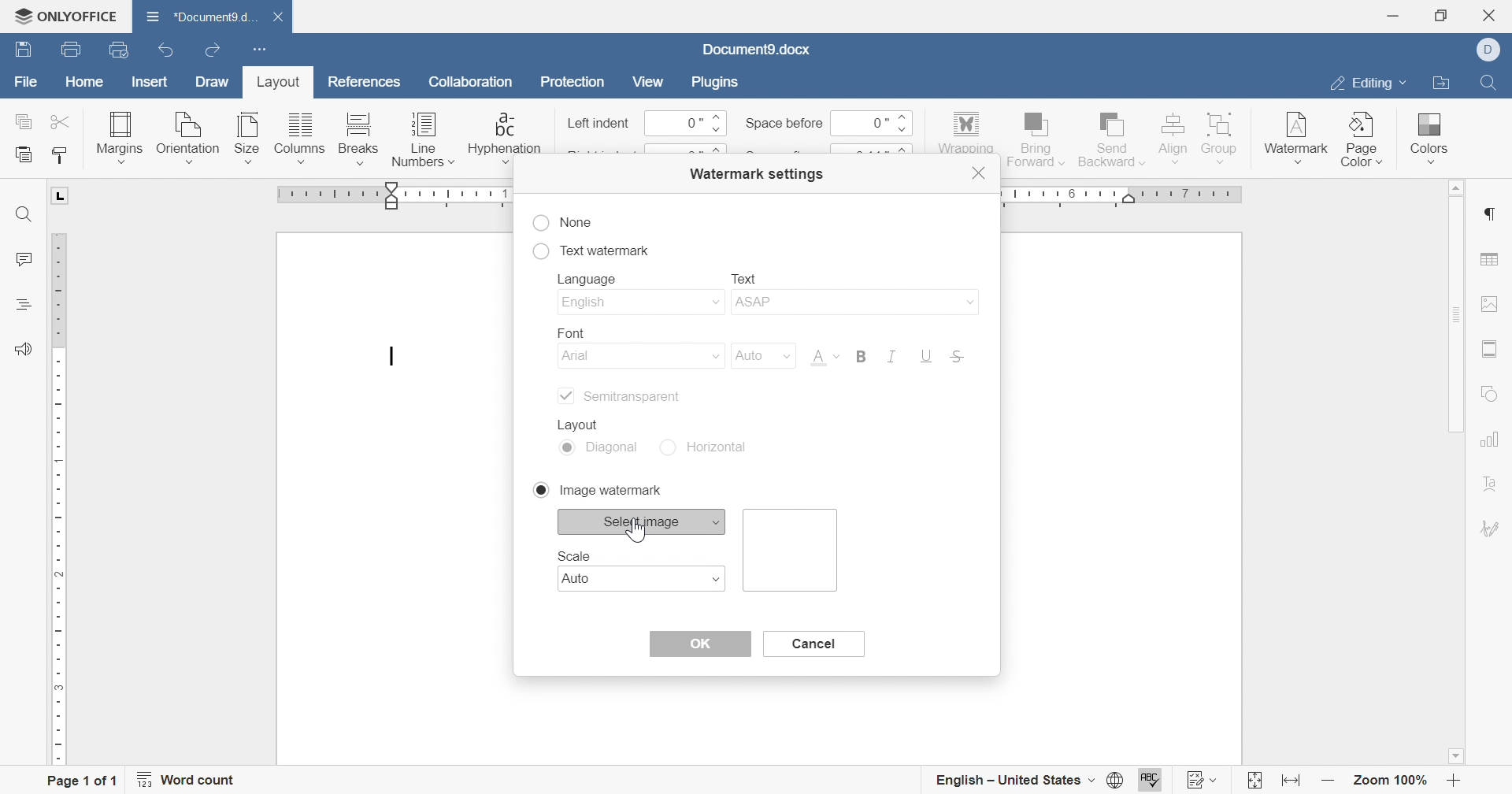  What do you see at coordinates (187, 780) in the screenshot?
I see `word count` at bounding box center [187, 780].